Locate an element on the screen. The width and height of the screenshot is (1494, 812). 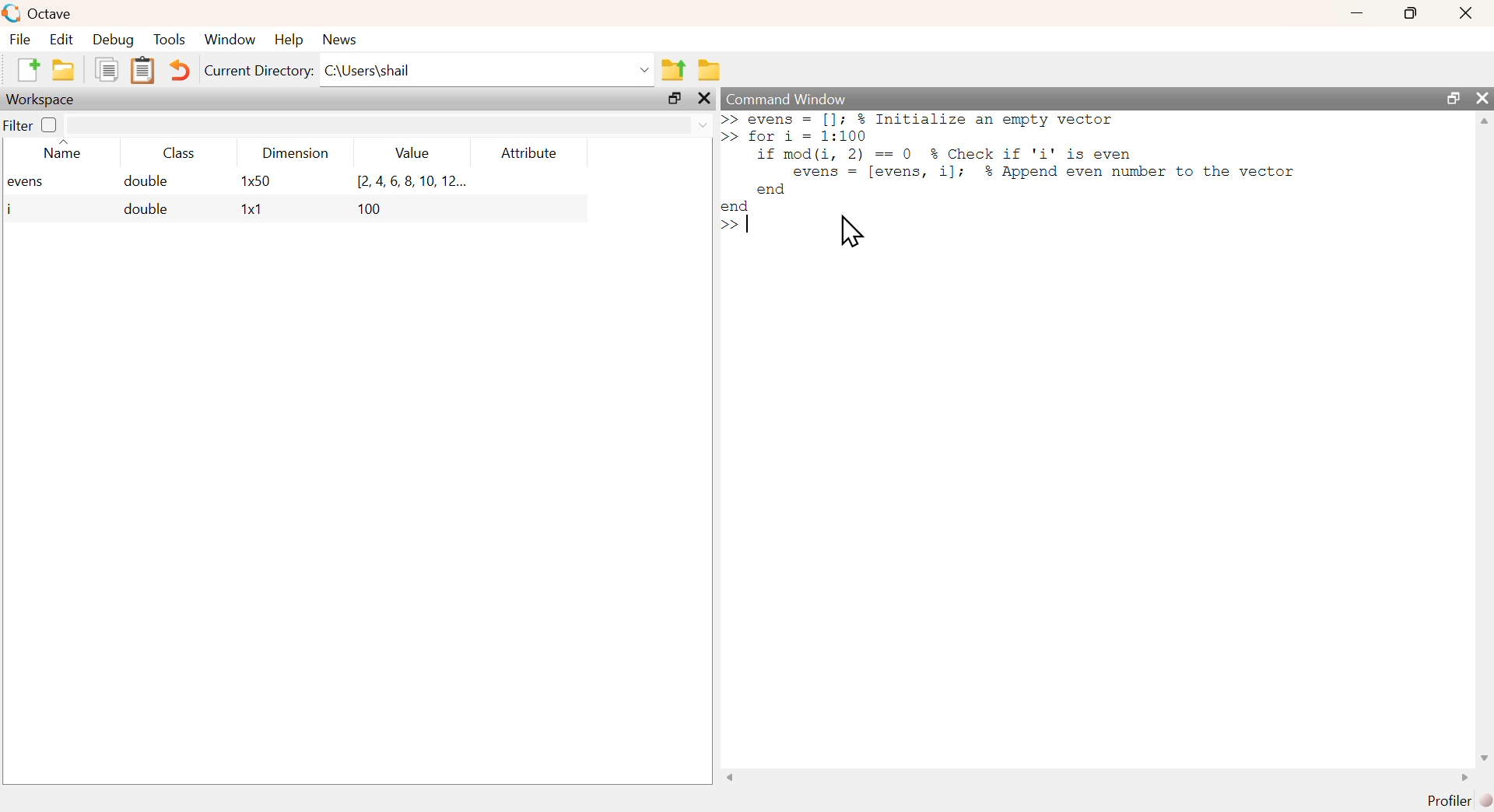
edit is located at coordinates (60, 40).